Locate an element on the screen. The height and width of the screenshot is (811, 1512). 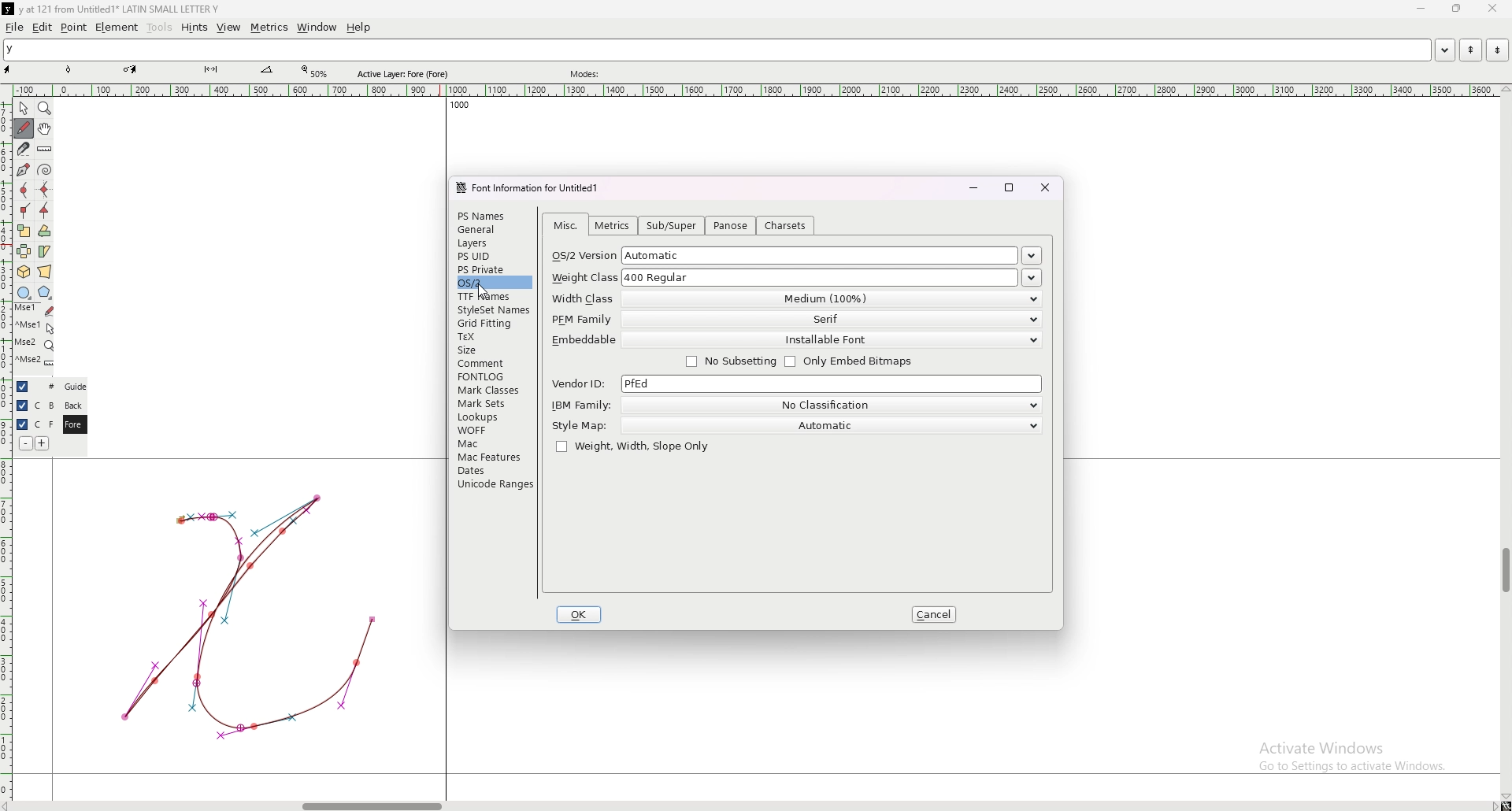
hints is located at coordinates (193, 28).